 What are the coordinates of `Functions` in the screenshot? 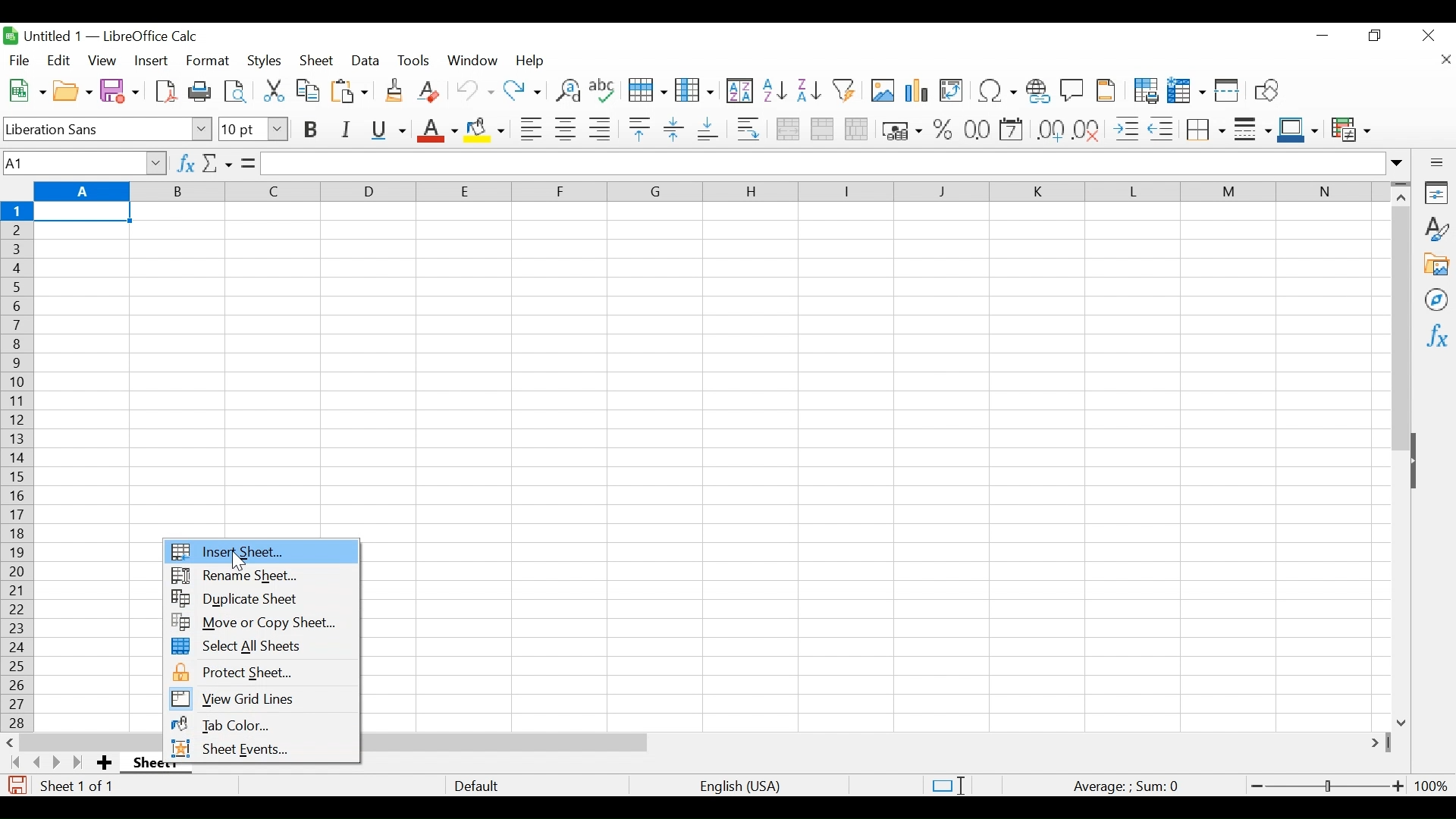 It's located at (1435, 335).